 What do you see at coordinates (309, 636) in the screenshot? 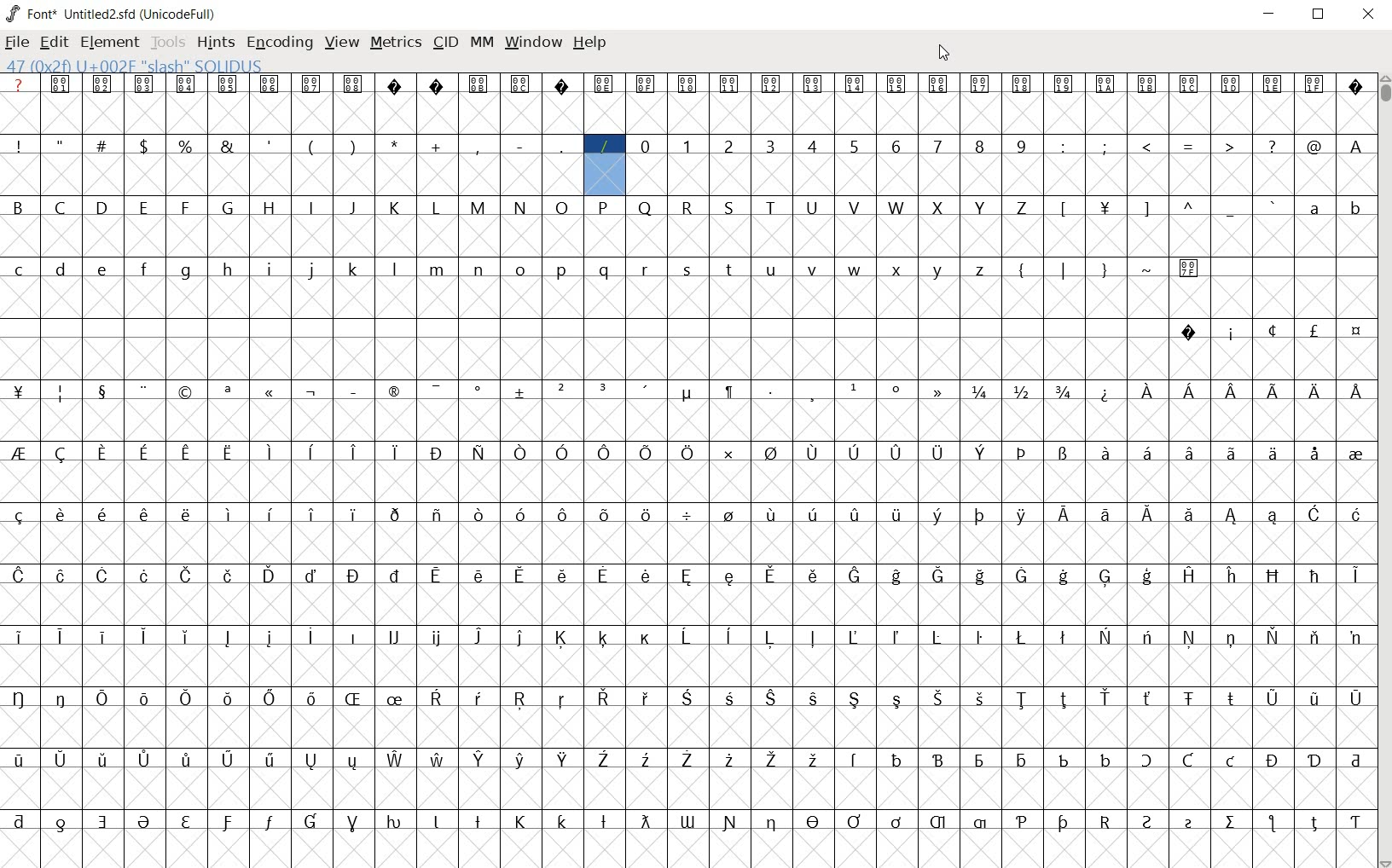
I see `glyph` at bounding box center [309, 636].